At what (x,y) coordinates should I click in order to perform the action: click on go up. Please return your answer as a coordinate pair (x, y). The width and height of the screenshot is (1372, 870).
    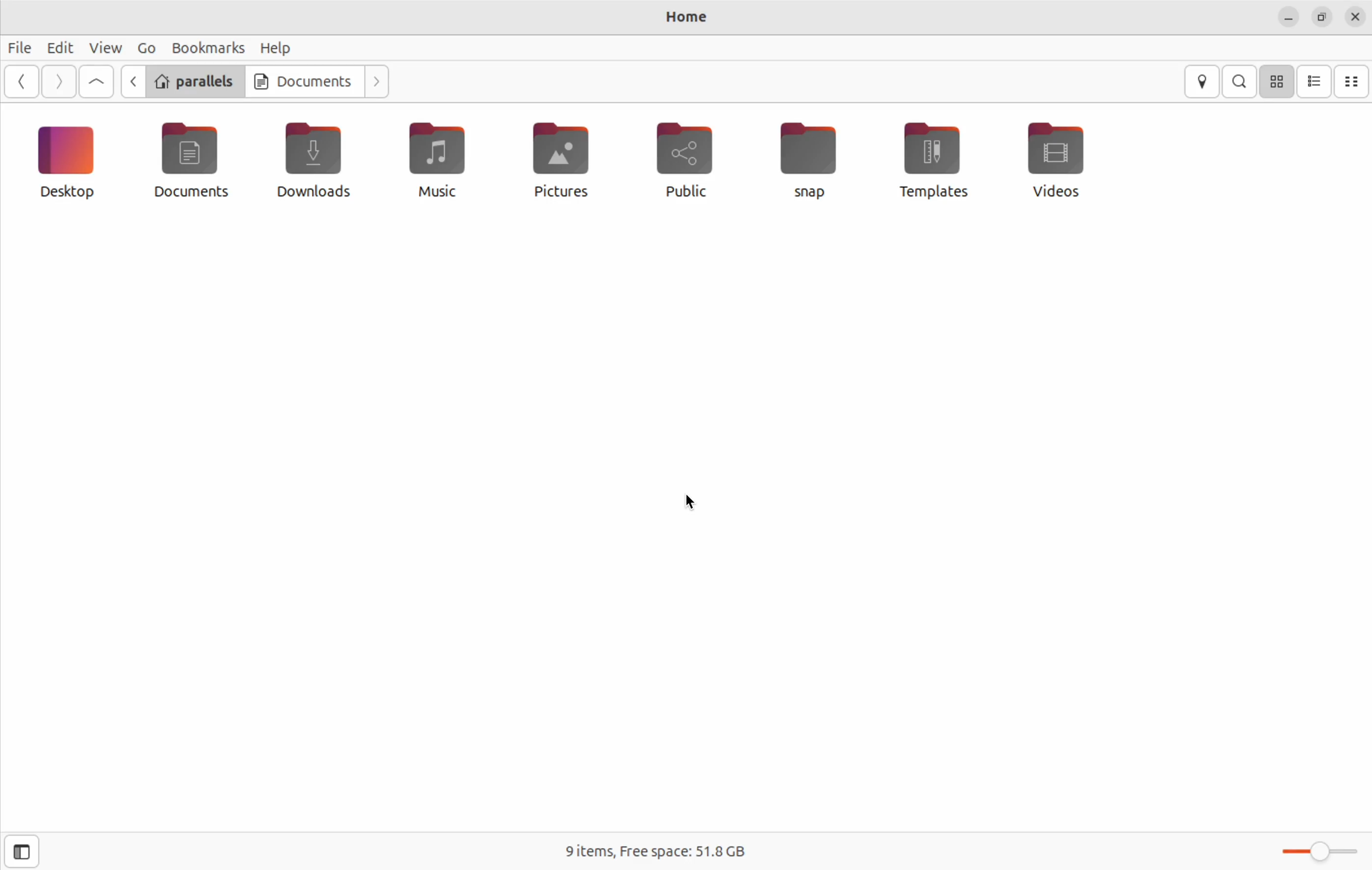
    Looking at the image, I should click on (96, 81).